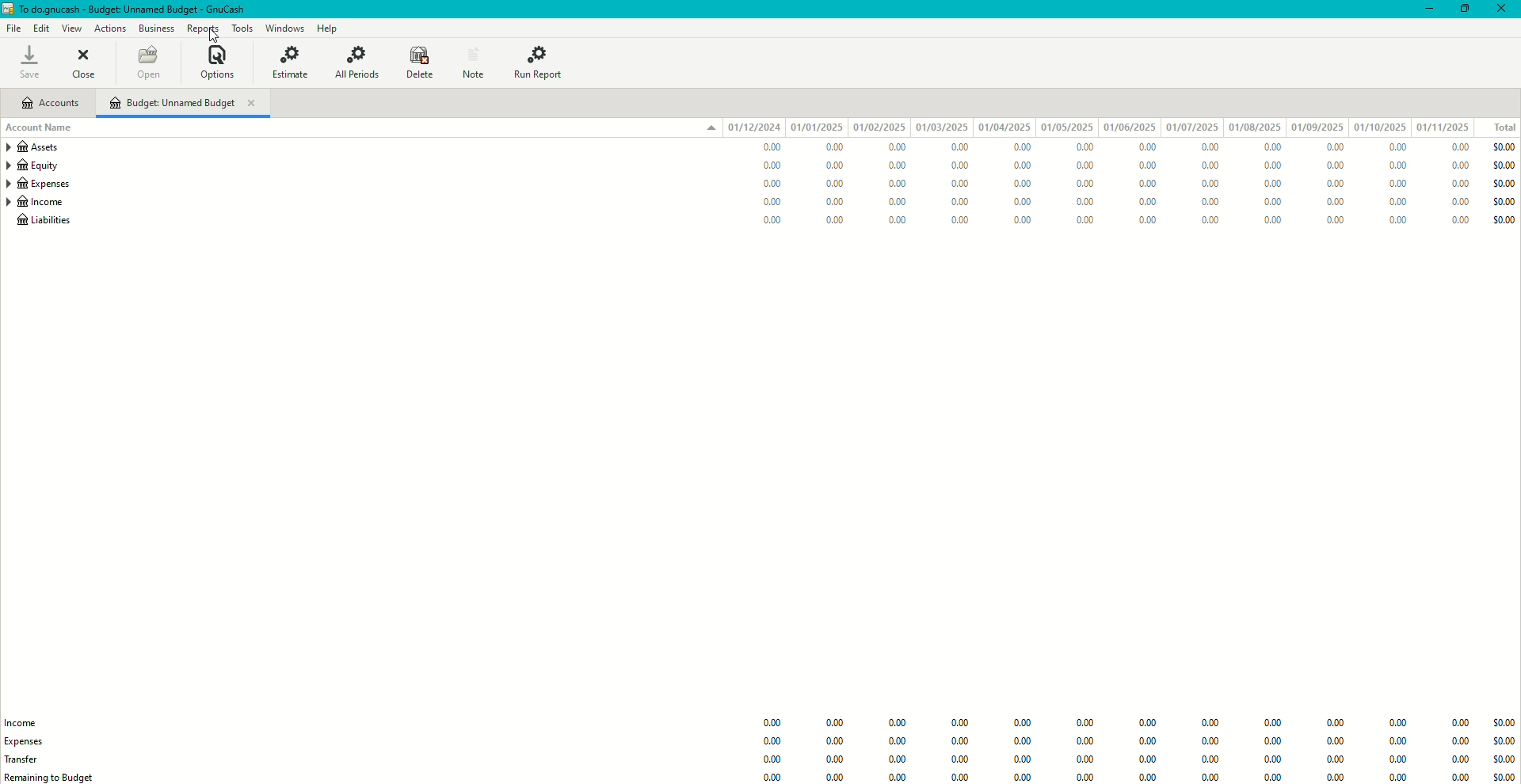 The height and width of the screenshot is (784, 1521). Describe the element at coordinates (1338, 185) in the screenshot. I see `0.00` at that location.